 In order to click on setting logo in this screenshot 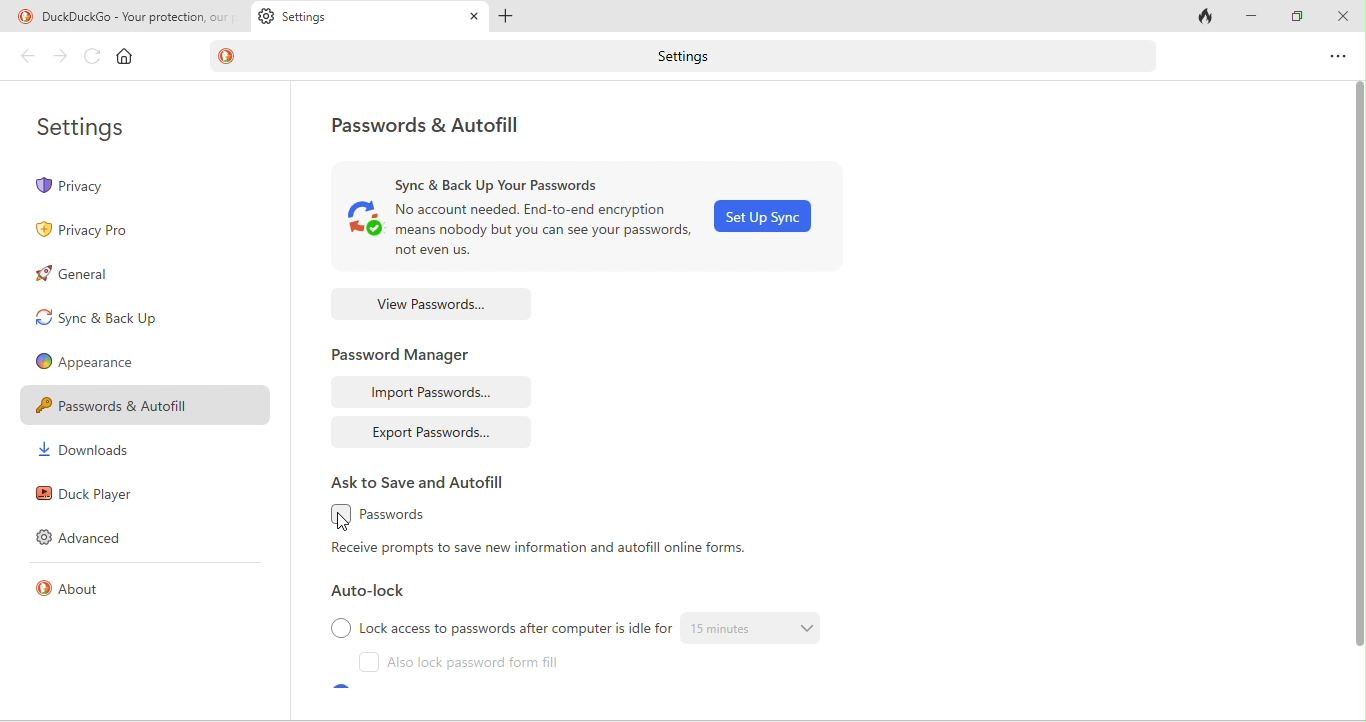, I will do `click(264, 18)`.